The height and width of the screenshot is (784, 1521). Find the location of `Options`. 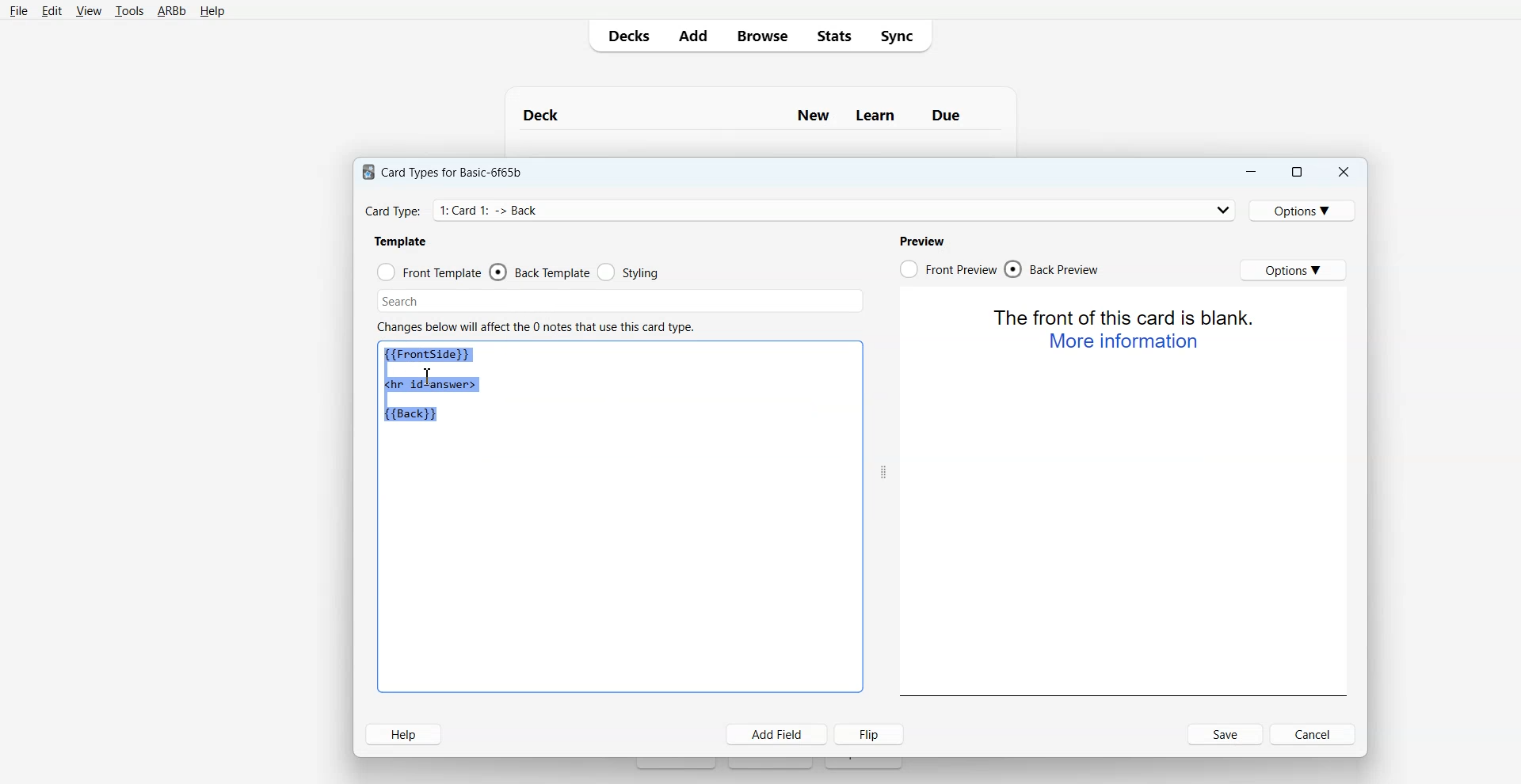

Options is located at coordinates (1294, 270).